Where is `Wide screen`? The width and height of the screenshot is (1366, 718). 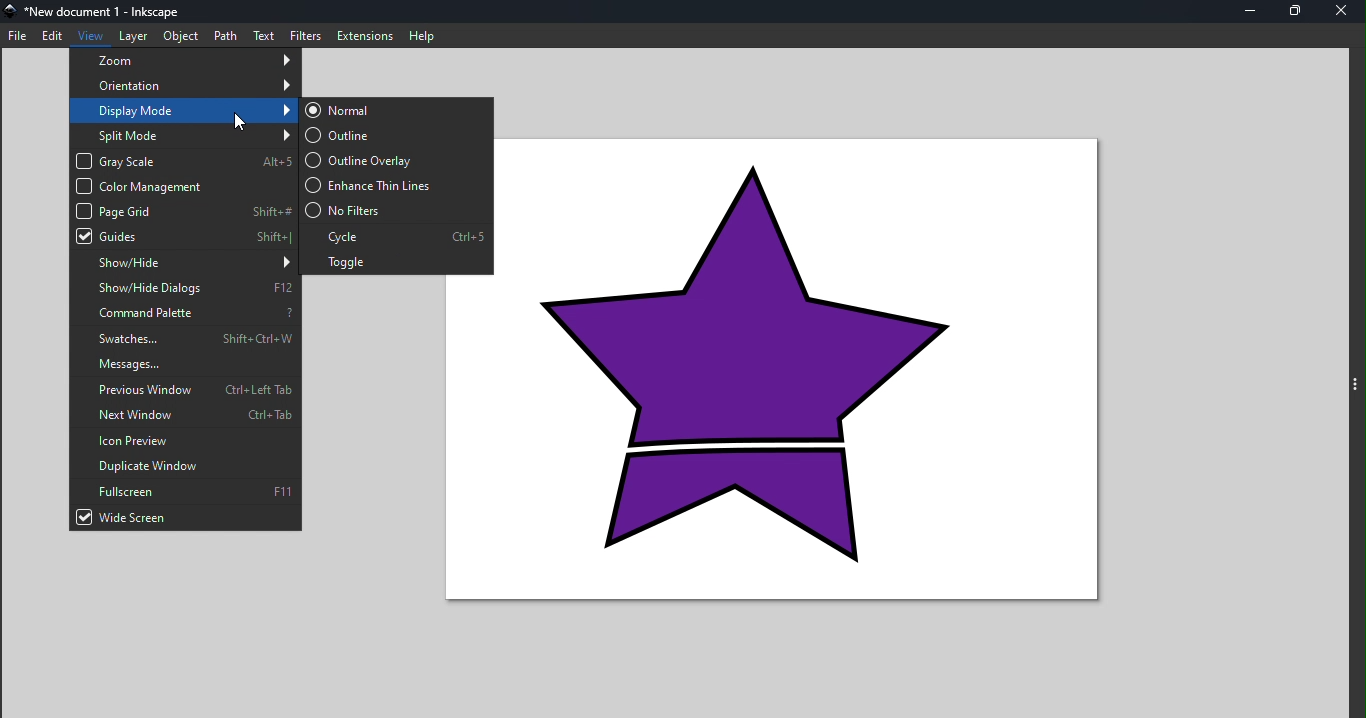 Wide screen is located at coordinates (185, 519).